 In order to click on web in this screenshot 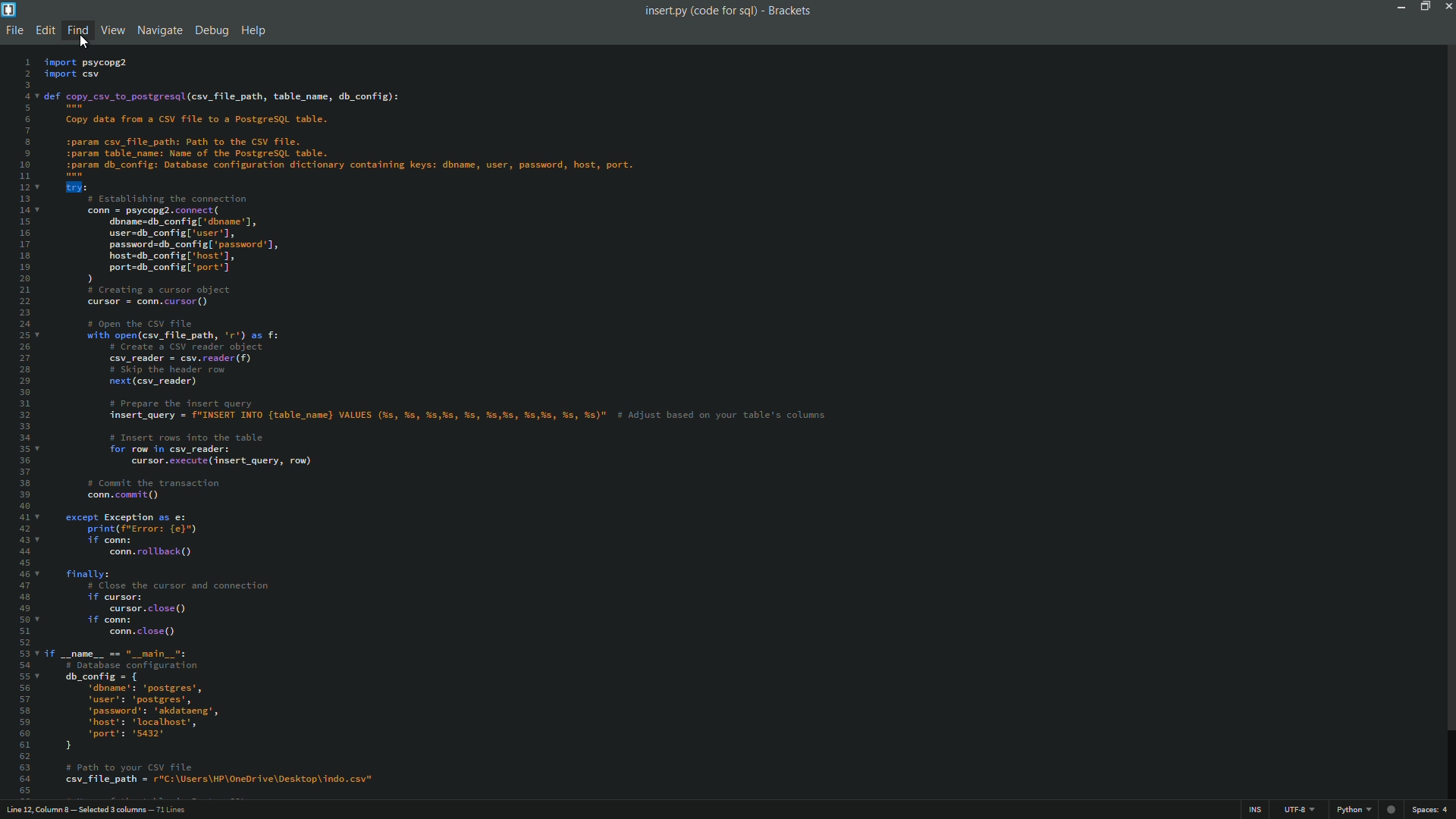, I will do `click(1393, 807)`.